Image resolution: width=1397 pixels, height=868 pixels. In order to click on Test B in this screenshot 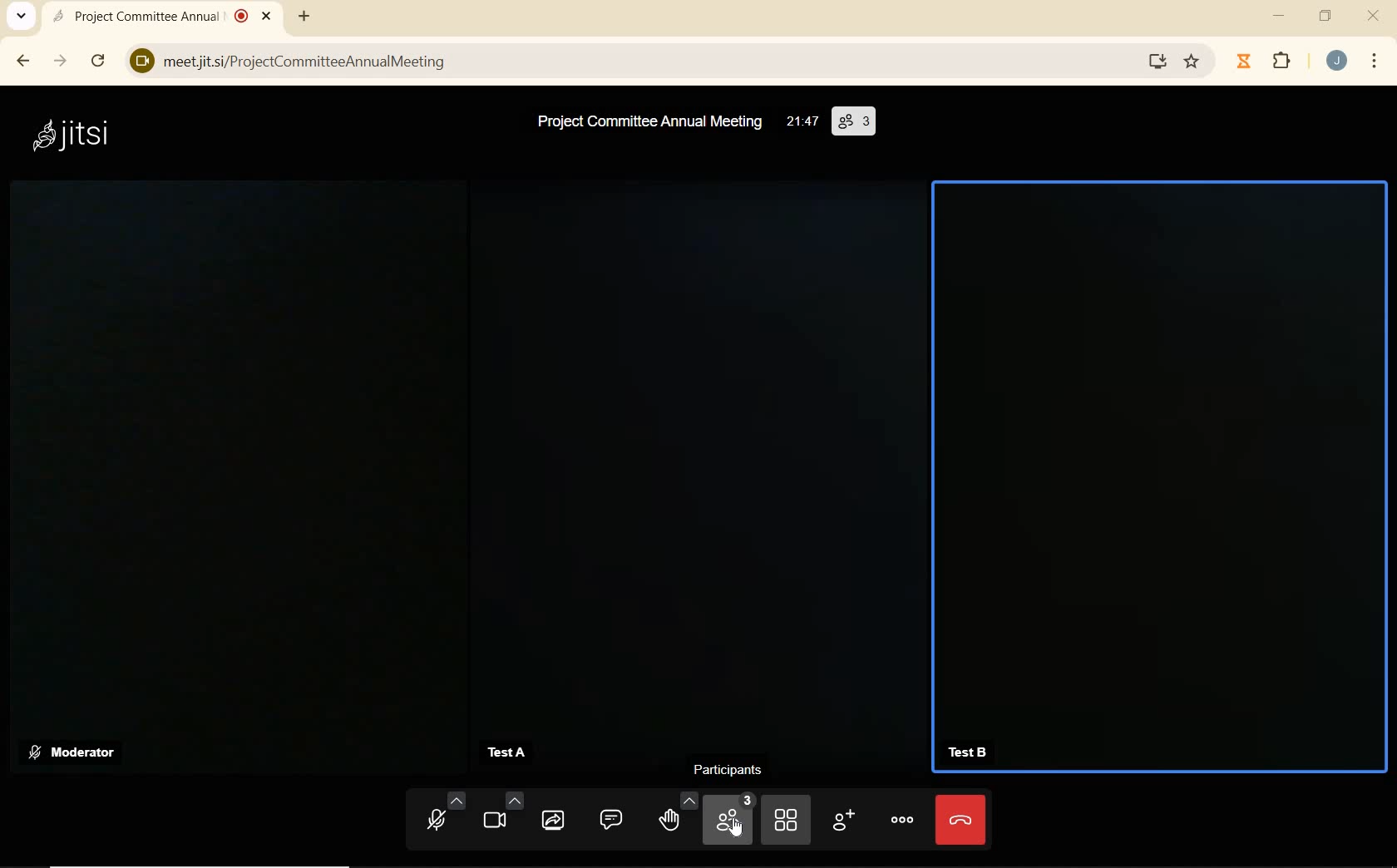, I will do `click(970, 753)`.